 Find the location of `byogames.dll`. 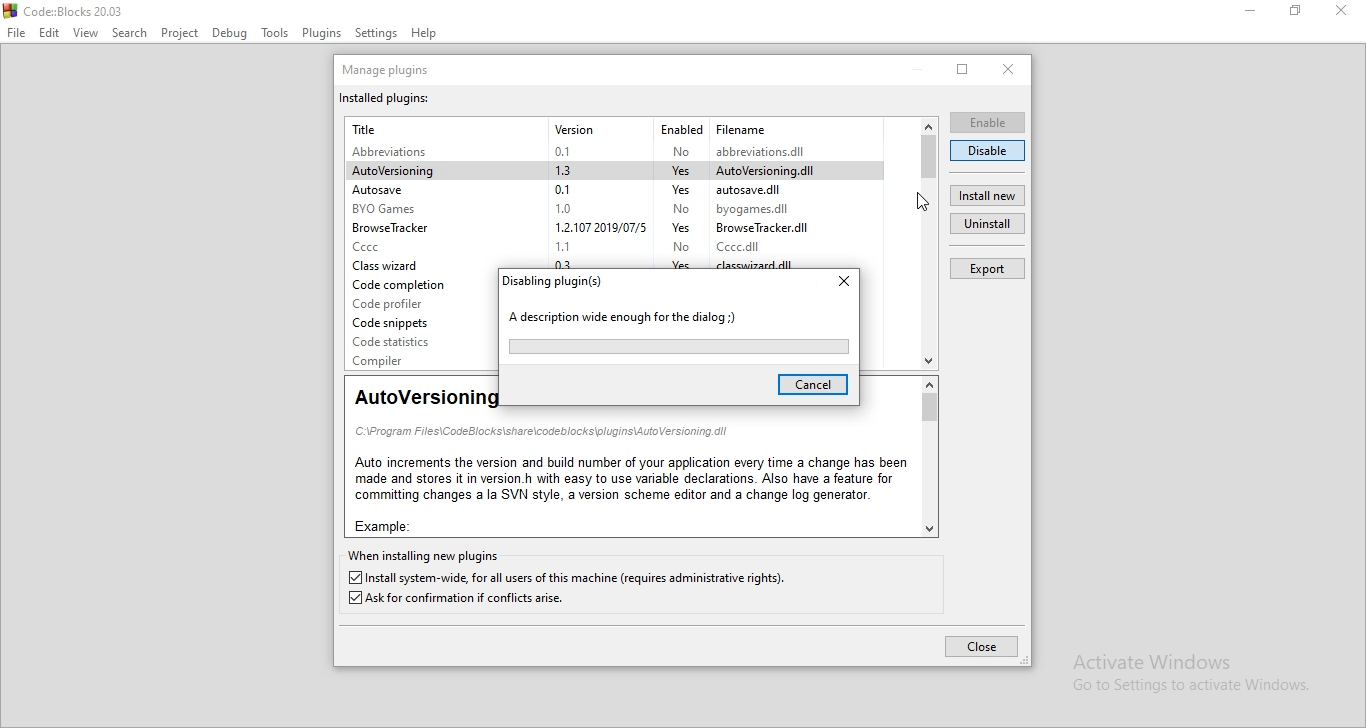

byogames.dll is located at coordinates (762, 208).